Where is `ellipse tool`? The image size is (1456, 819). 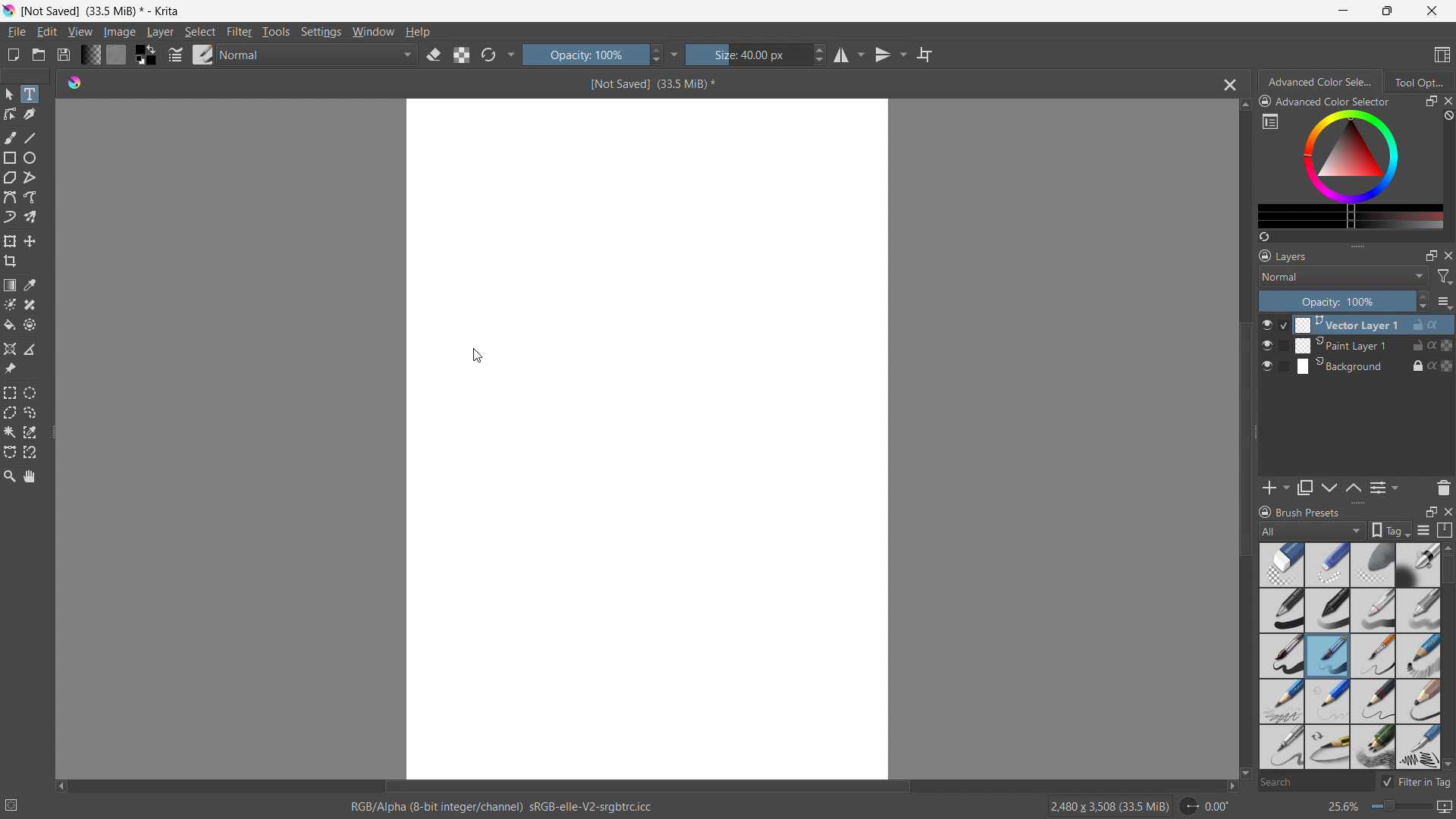 ellipse tool is located at coordinates (30, 158).